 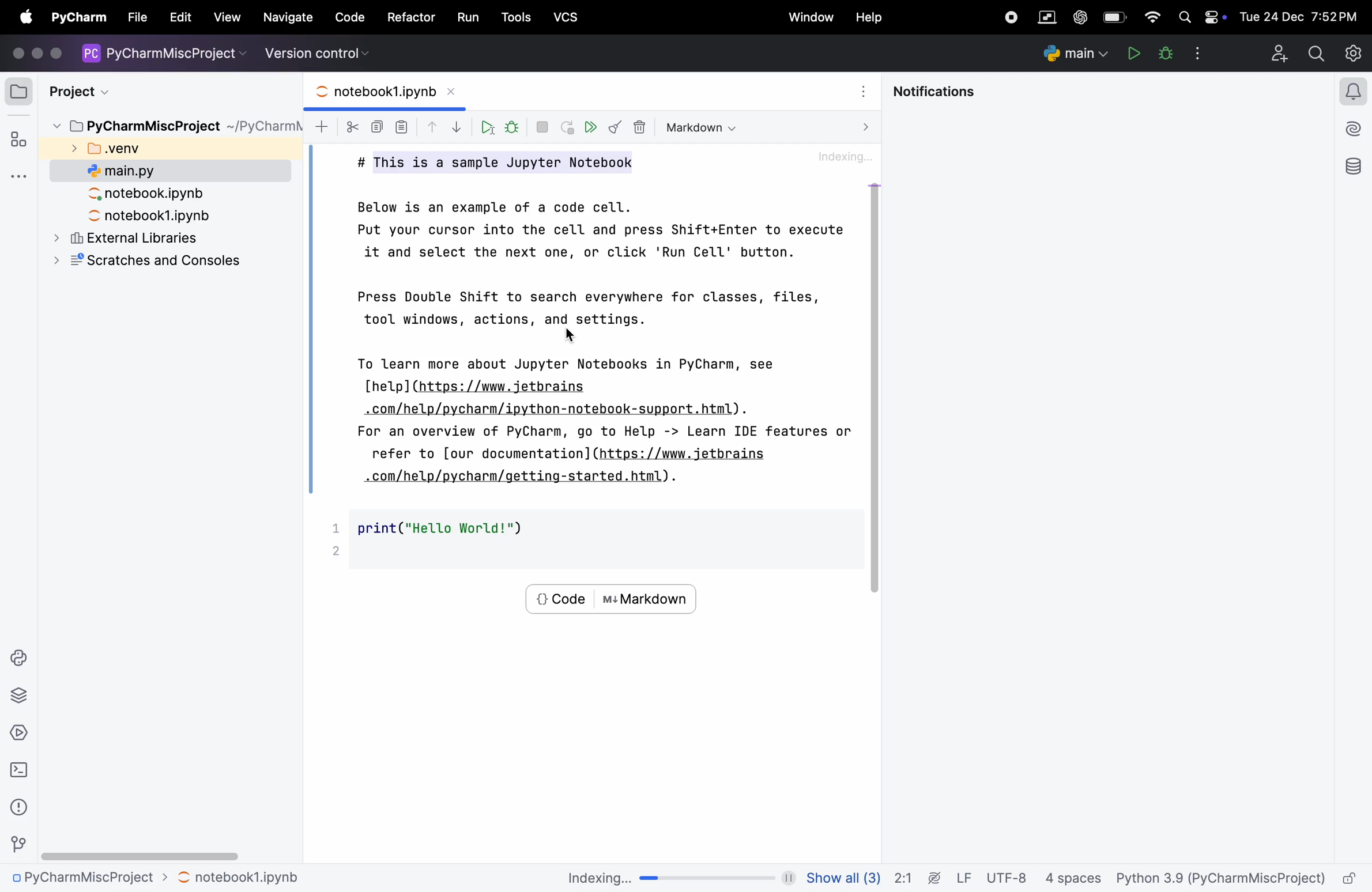 What do you see at coordinates (1111, 17) in the screenshot?
I see `battery` at bounding box center [1111, 17].